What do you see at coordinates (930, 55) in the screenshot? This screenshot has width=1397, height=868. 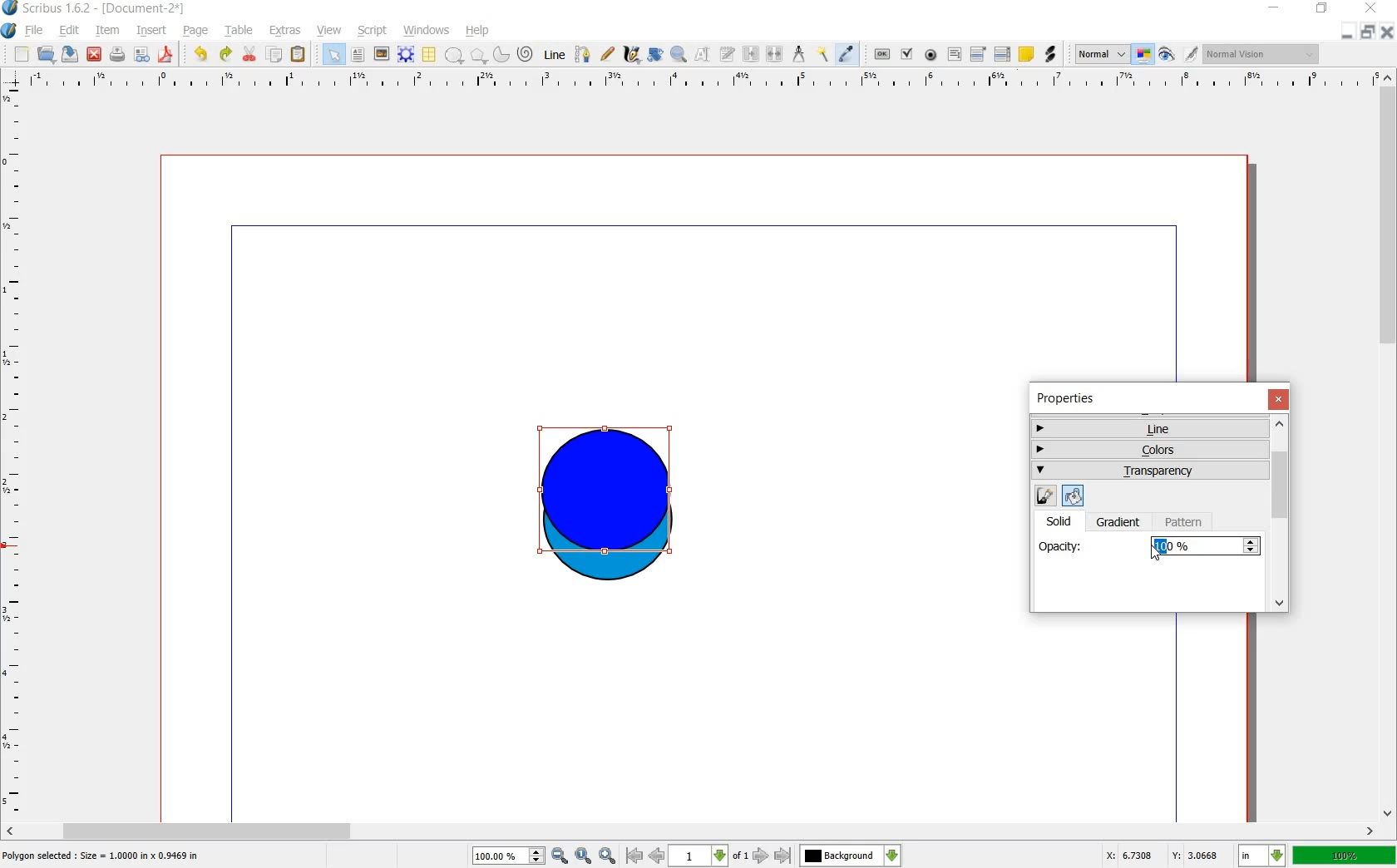 I see `pdf radio button` at bounding box center [930, 55].